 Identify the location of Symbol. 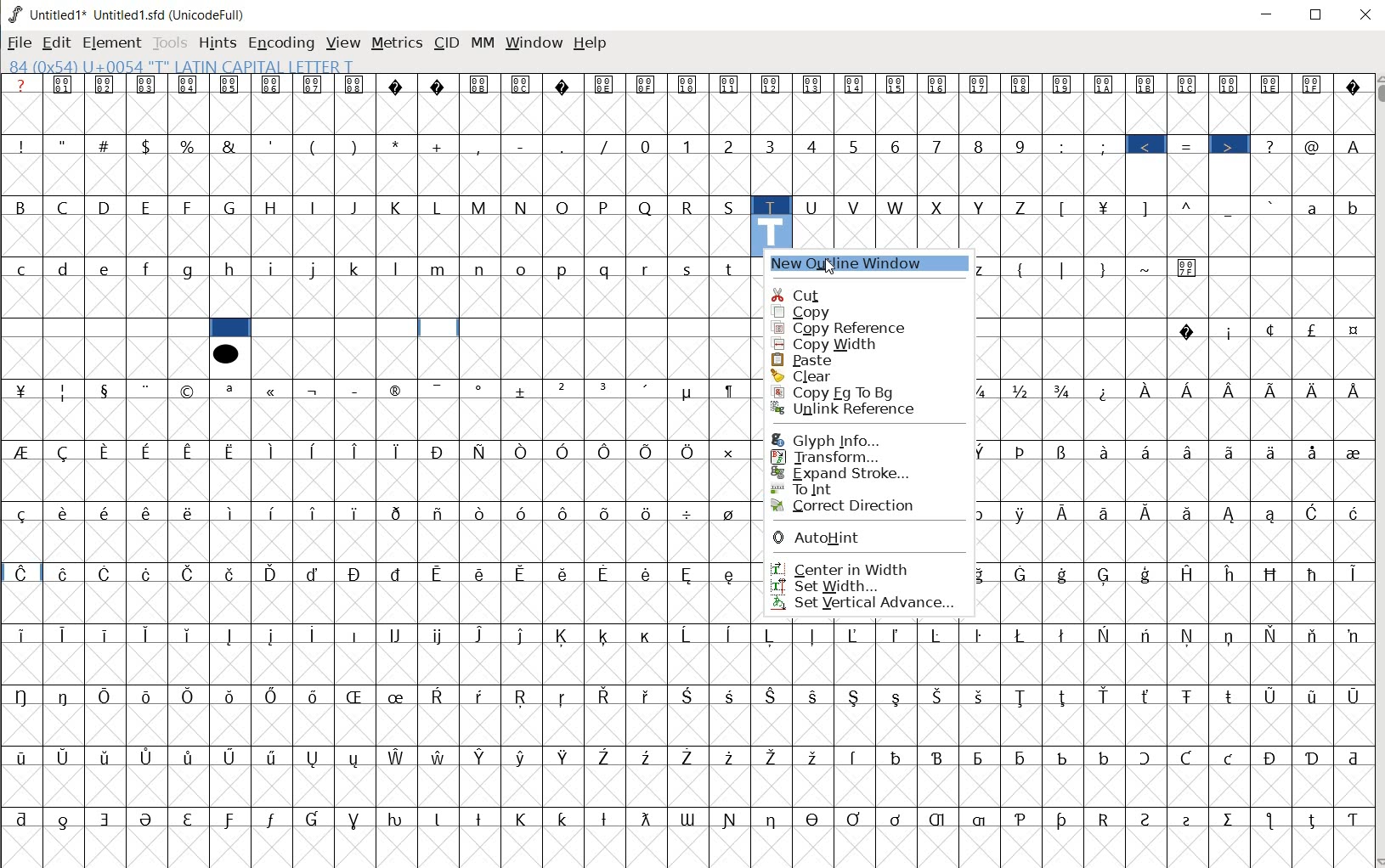
(732, 695).